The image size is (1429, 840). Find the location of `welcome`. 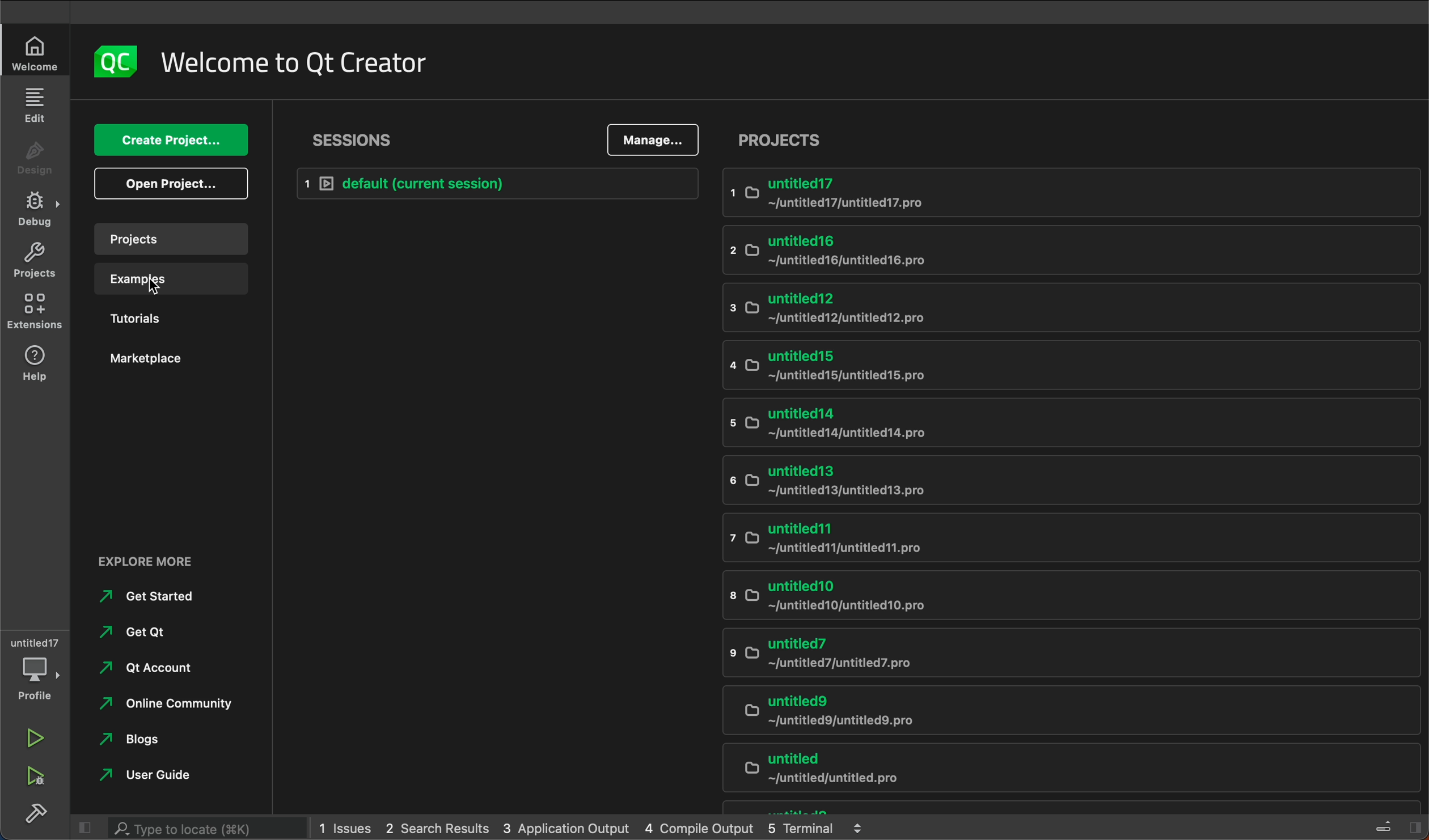

welcome is located at coordinates (35, 54).